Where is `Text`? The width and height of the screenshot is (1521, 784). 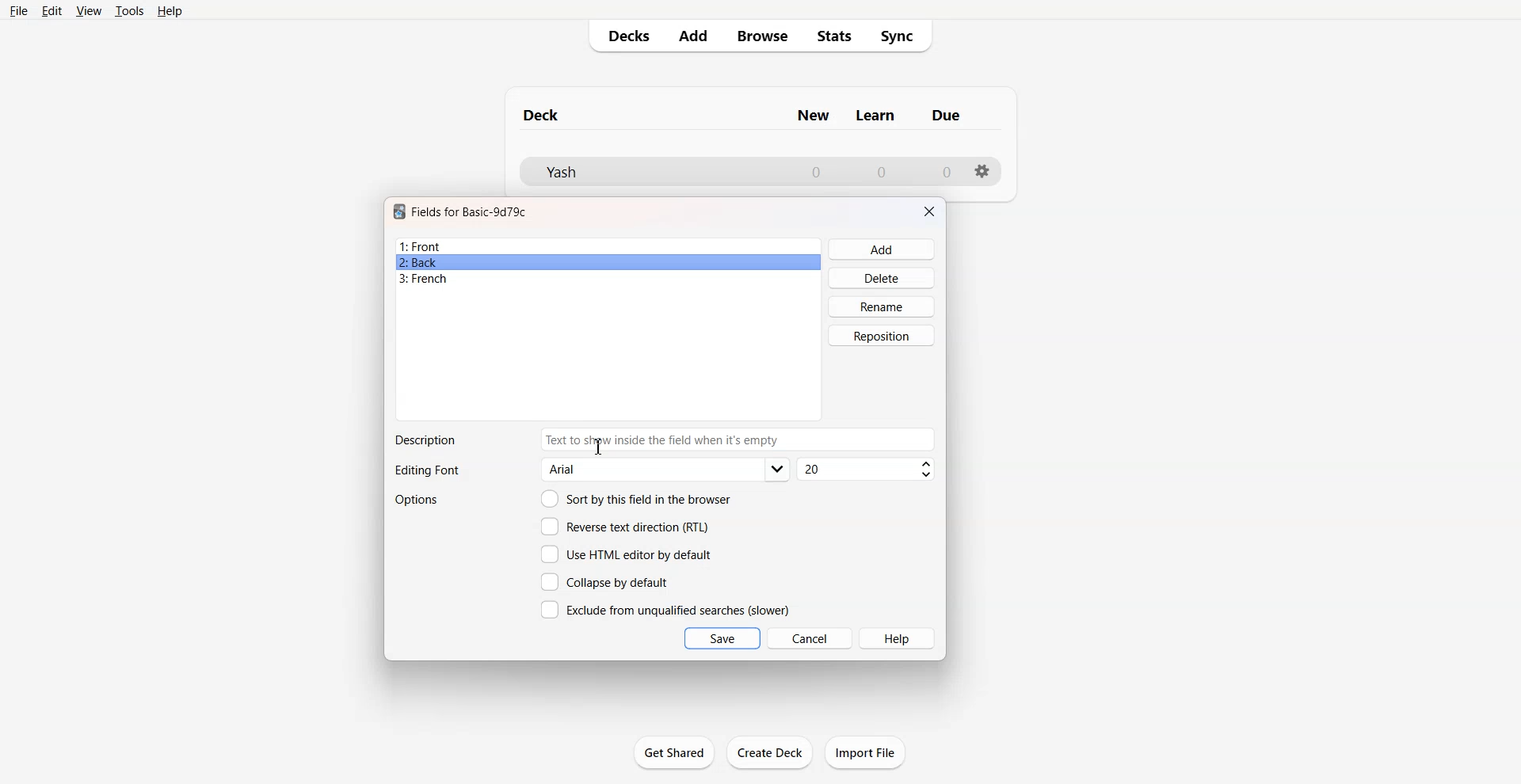 Text is located at coordinates (617, 440).